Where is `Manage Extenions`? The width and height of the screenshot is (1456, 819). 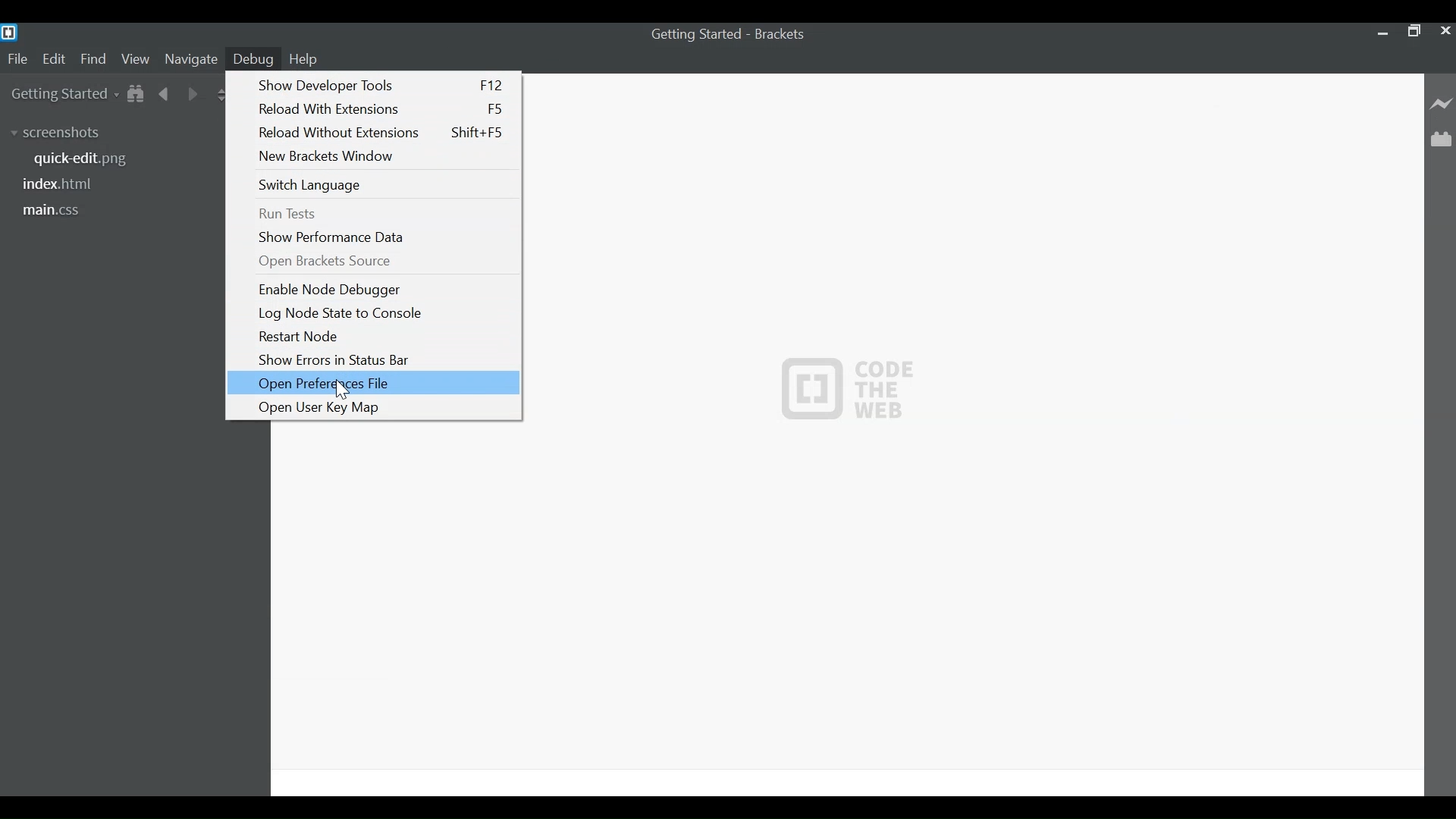
Manage Extenions is located at coordinates (1442, 140).